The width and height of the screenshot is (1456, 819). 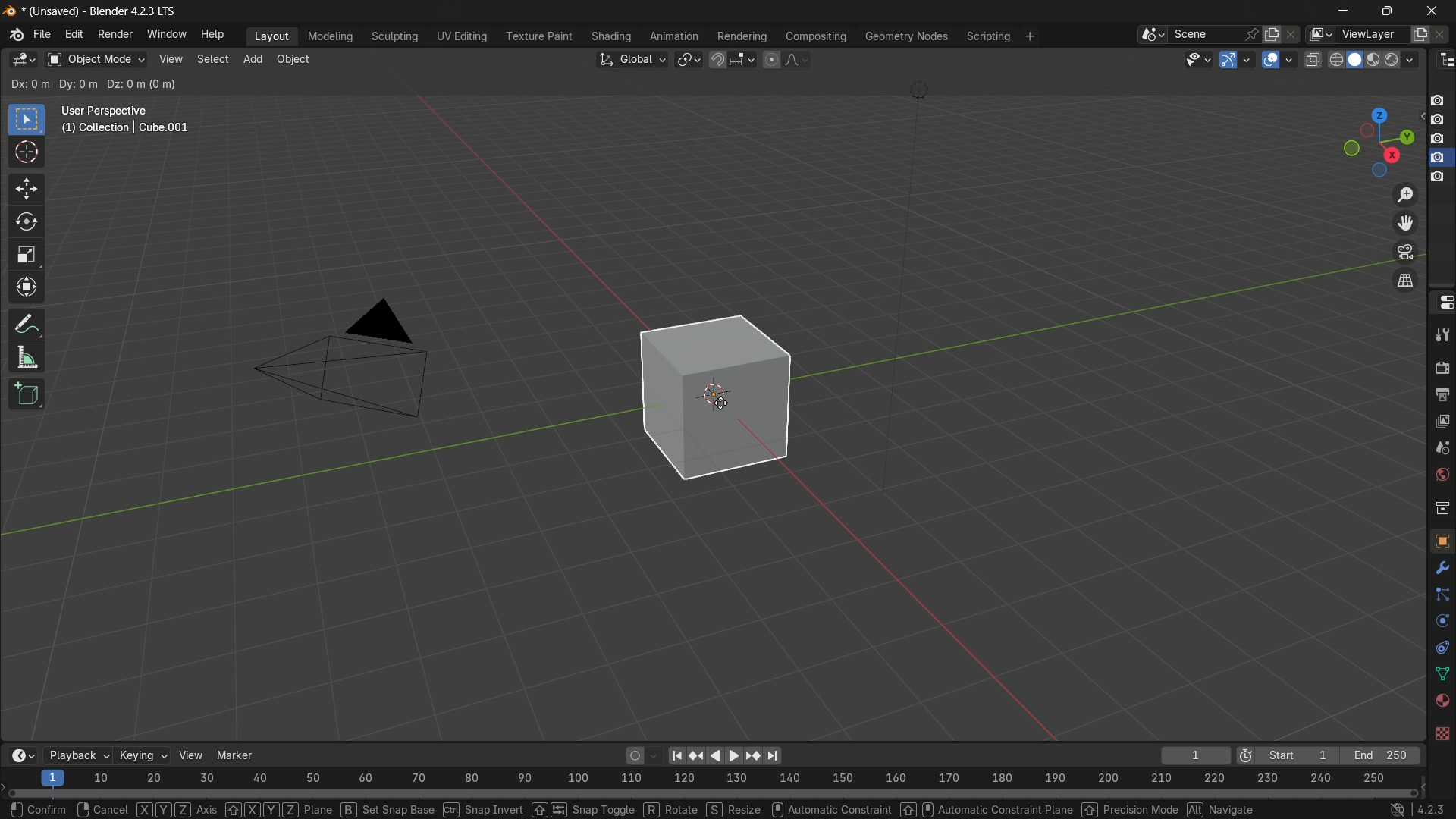 I want to click on Precision Mode, so click(x=1127, y=810).